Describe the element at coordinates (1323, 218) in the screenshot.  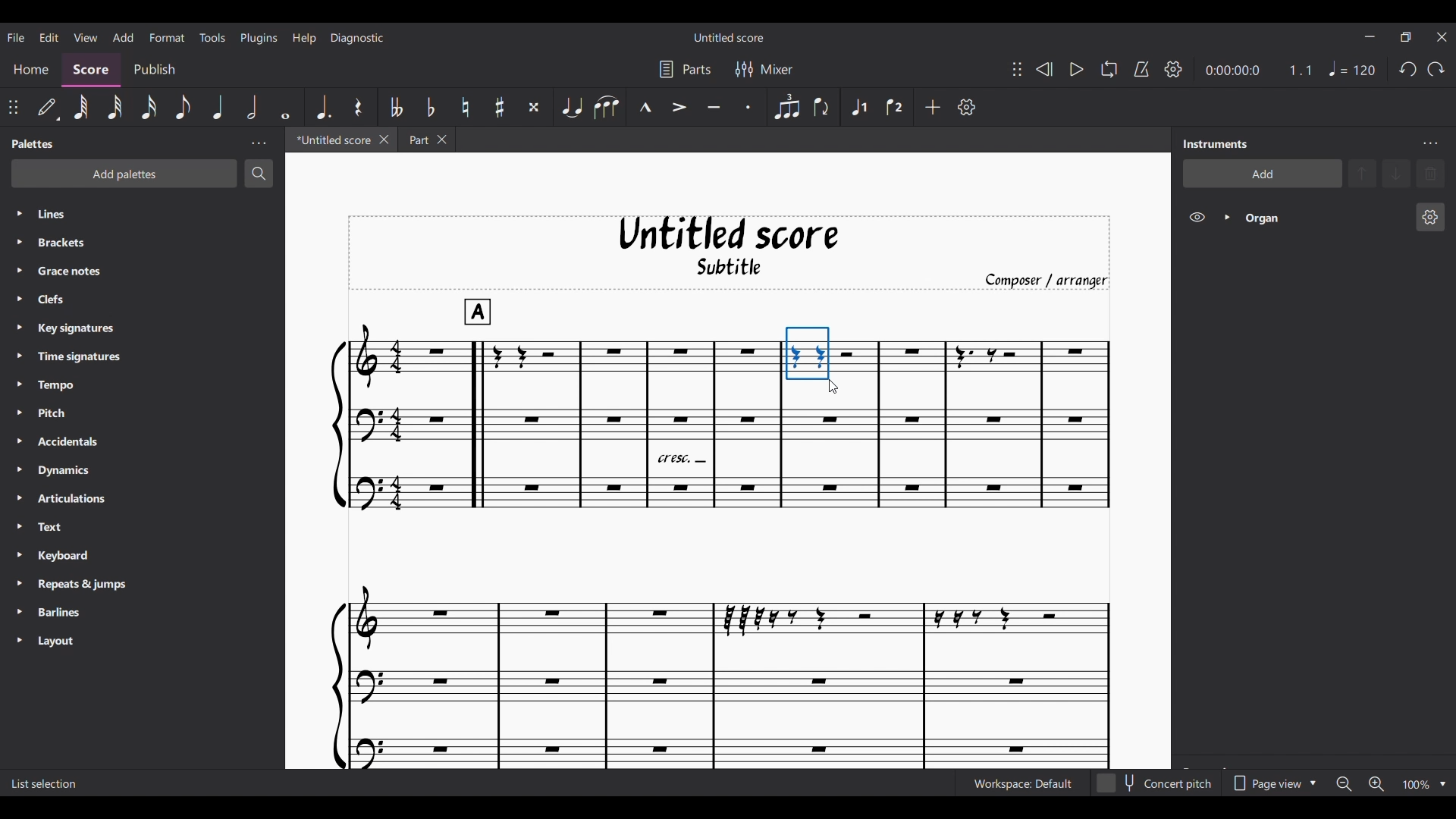
I see `Organ instrument` at that location.